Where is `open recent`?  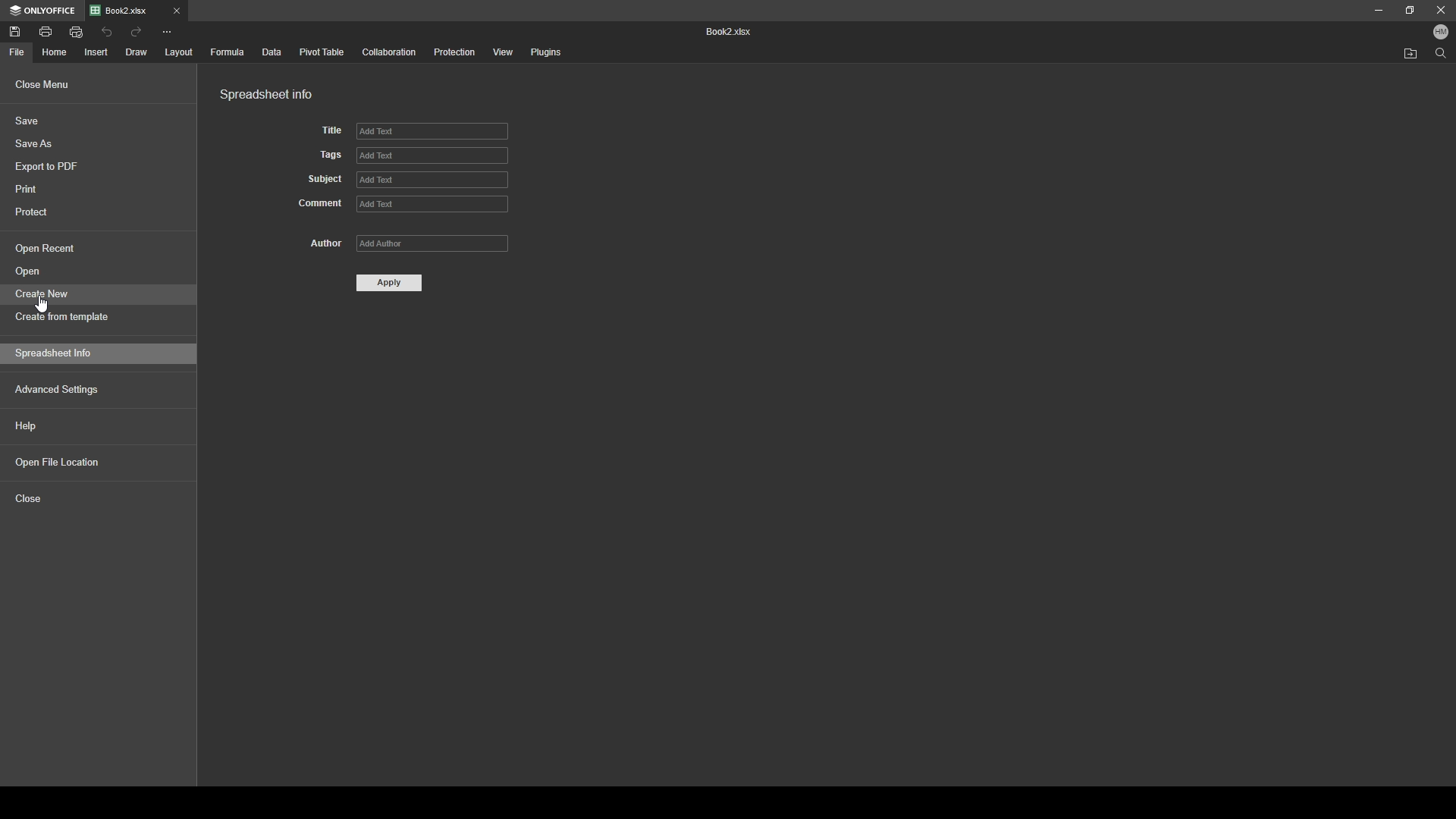 open recent is located at coordinates (92, 248).